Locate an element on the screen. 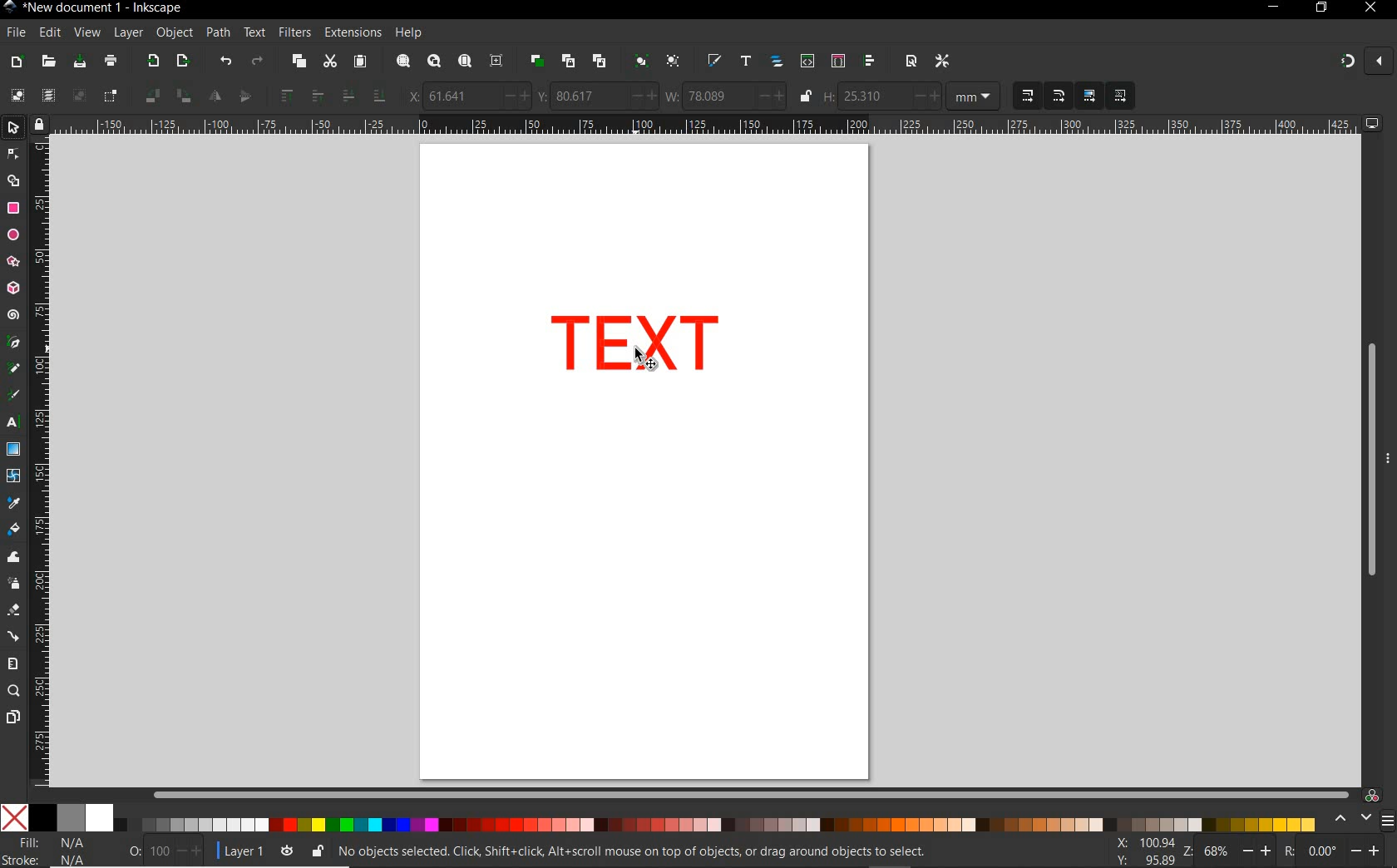 This screenshot has width=1397, height=868. ruler is located at coordinates (707, 126).